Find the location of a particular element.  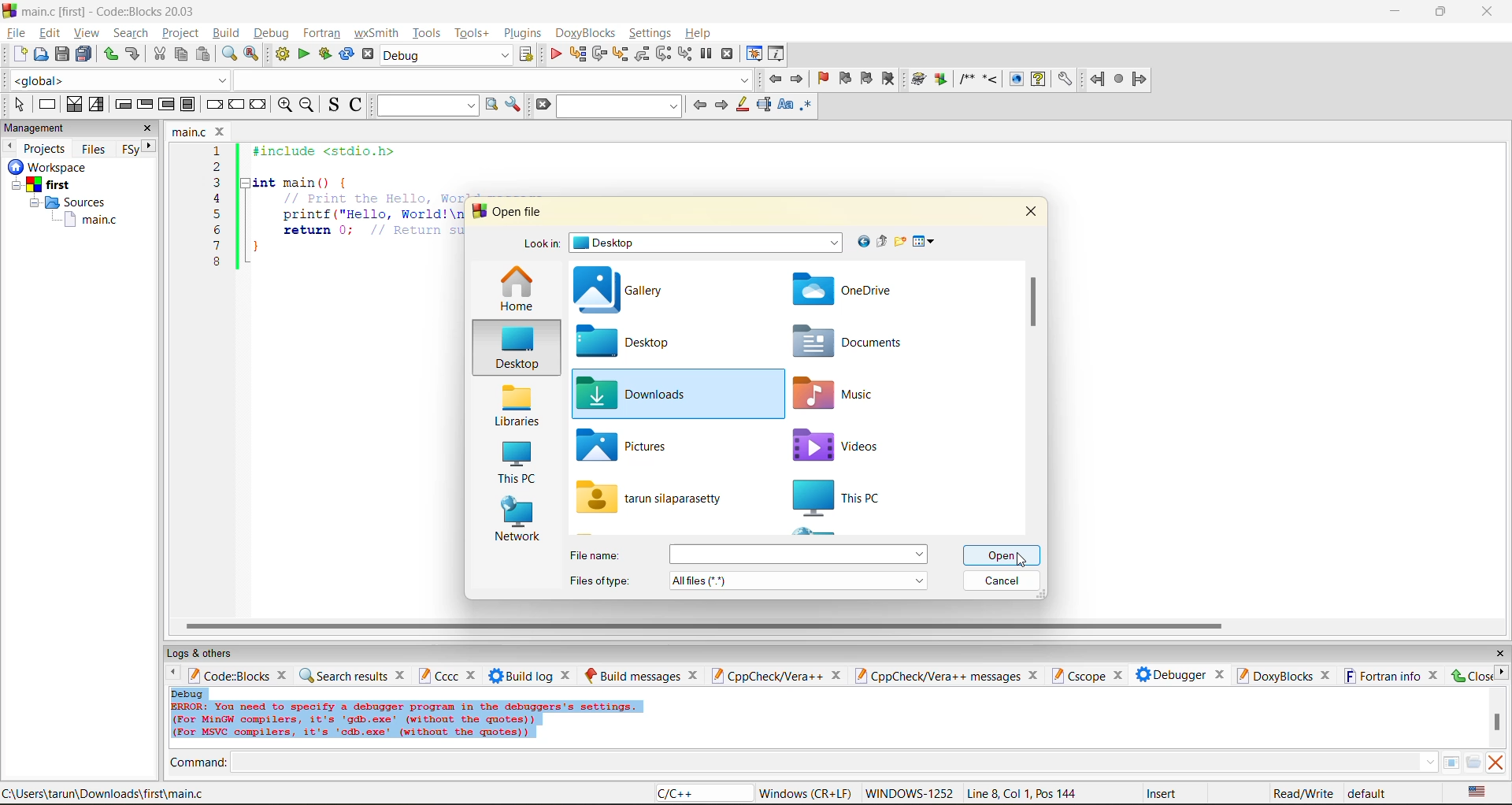

close is located at coordinates (1117, 676).